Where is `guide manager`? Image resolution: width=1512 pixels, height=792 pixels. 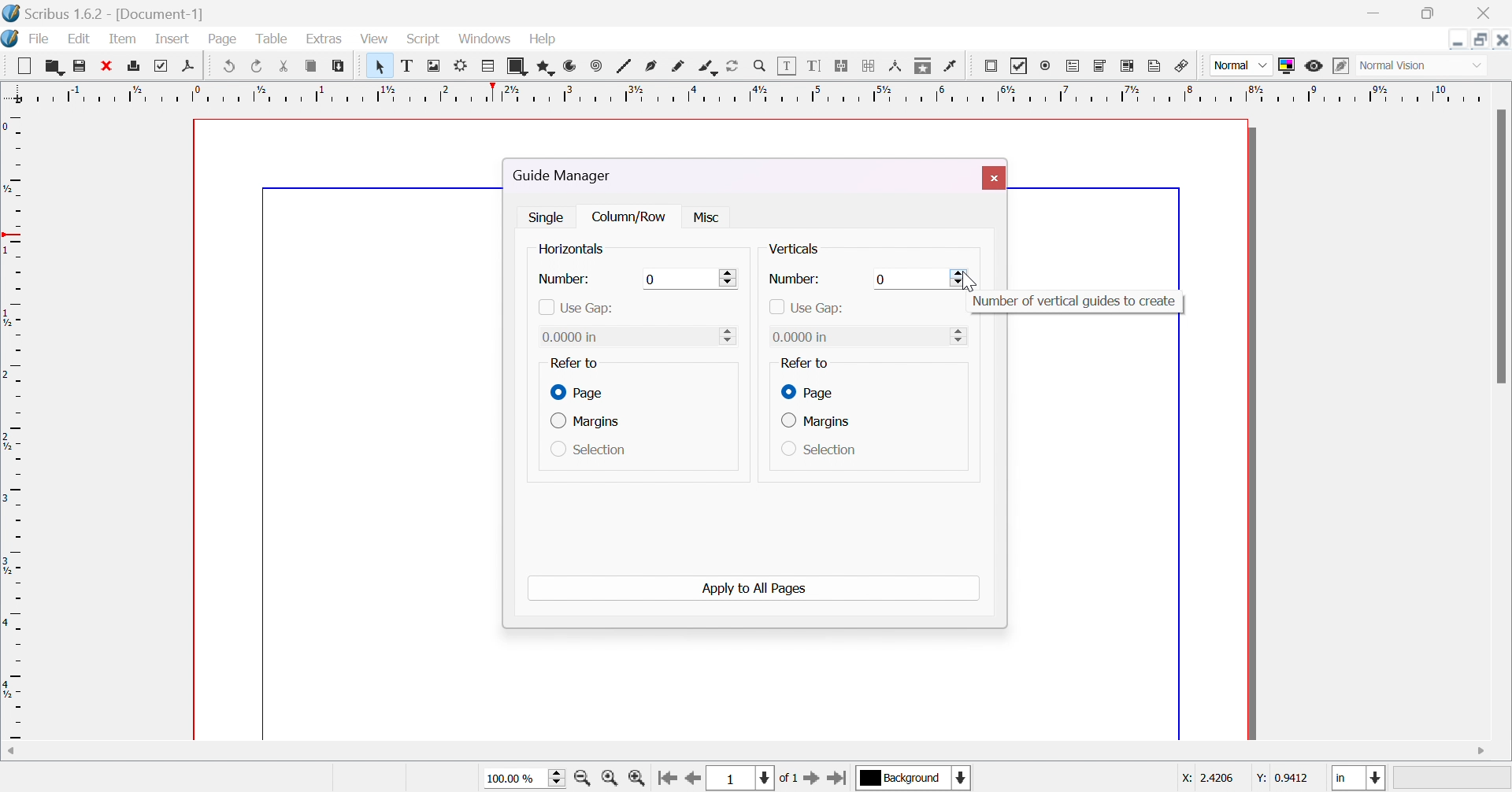
guide manager is located at coordinates (568, 176).